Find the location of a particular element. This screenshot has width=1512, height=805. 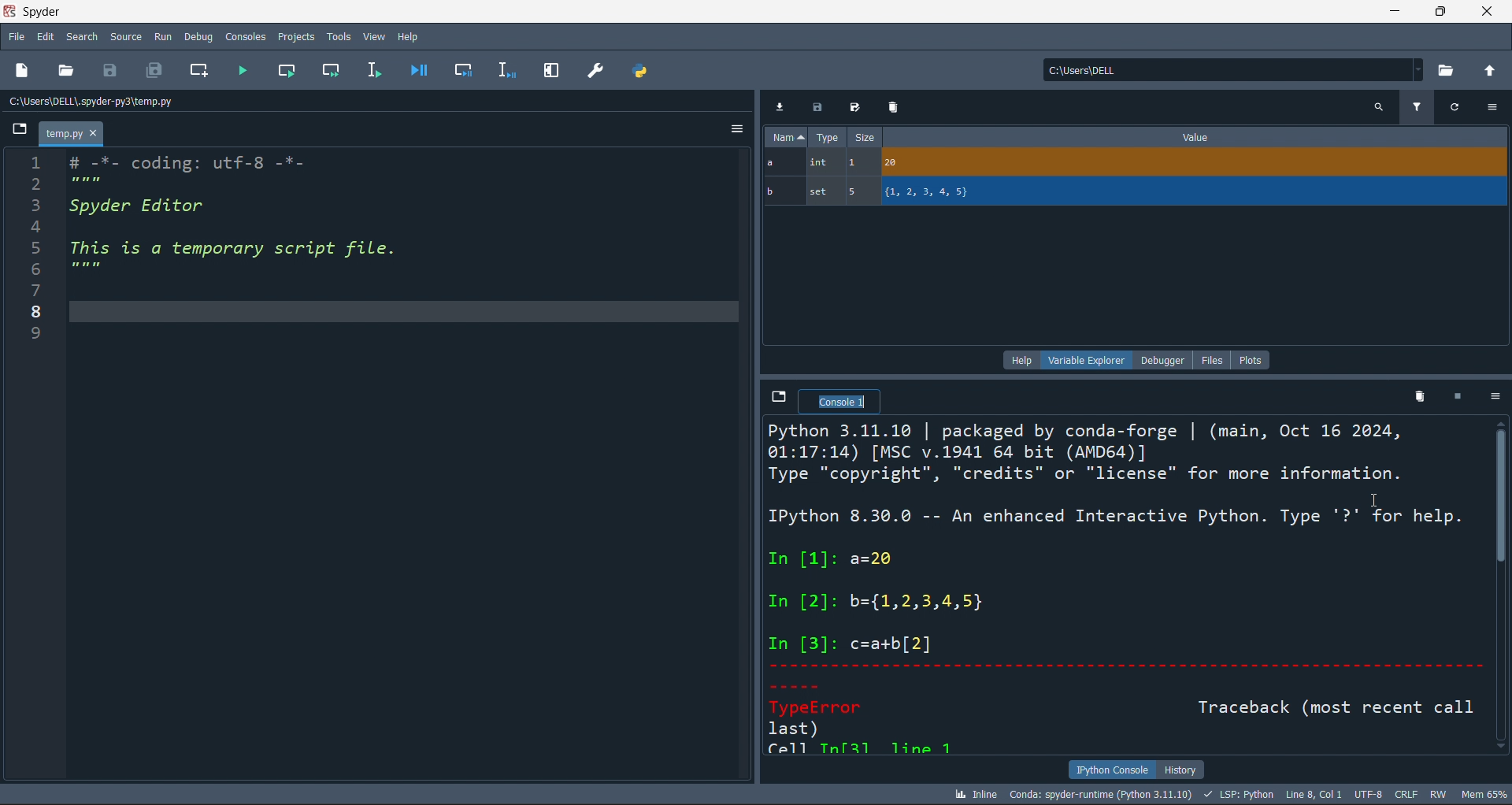

search is located at coordinates (1378, 106).